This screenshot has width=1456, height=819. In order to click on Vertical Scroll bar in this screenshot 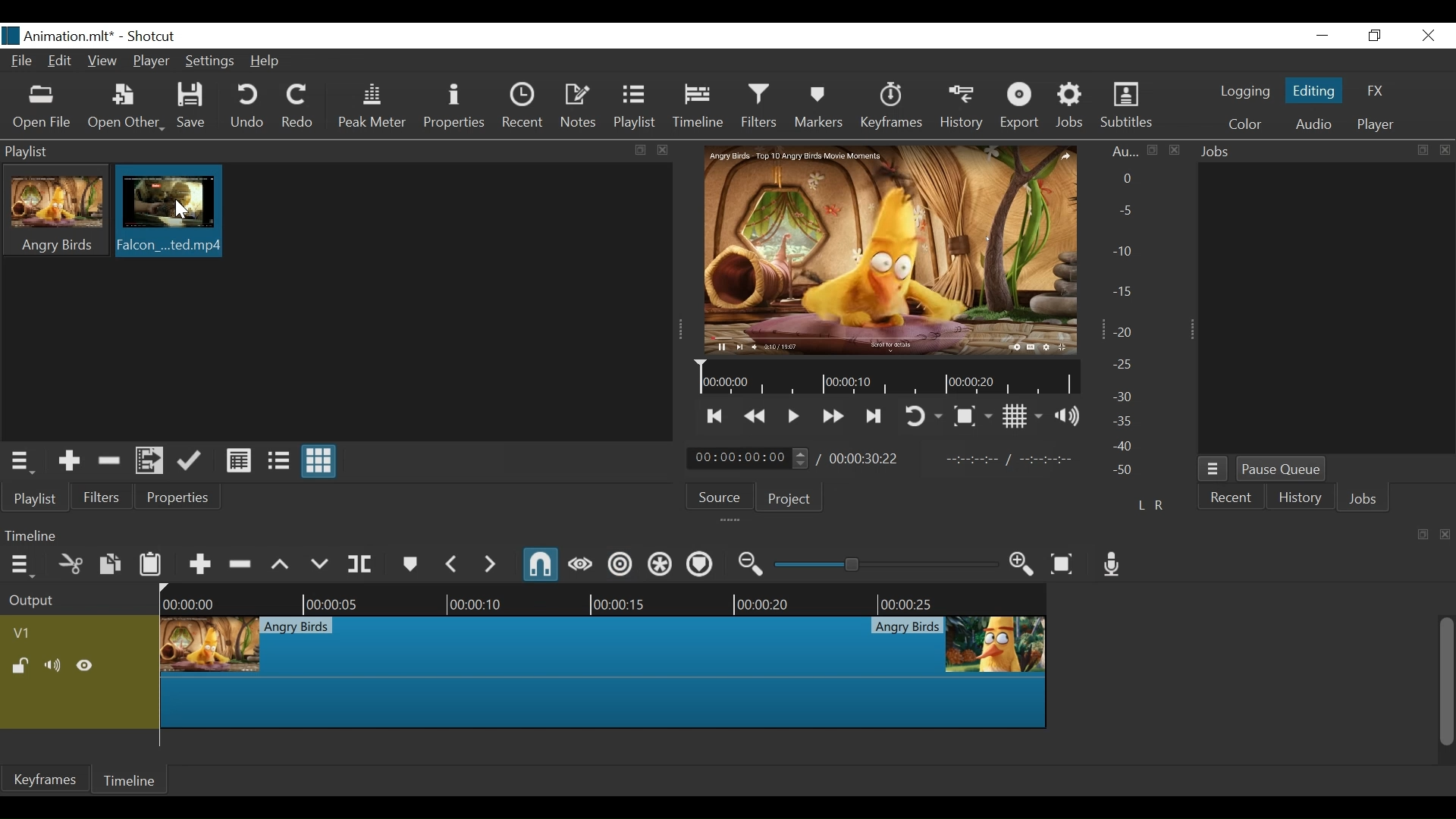, I will do `click(1447, 682)`.